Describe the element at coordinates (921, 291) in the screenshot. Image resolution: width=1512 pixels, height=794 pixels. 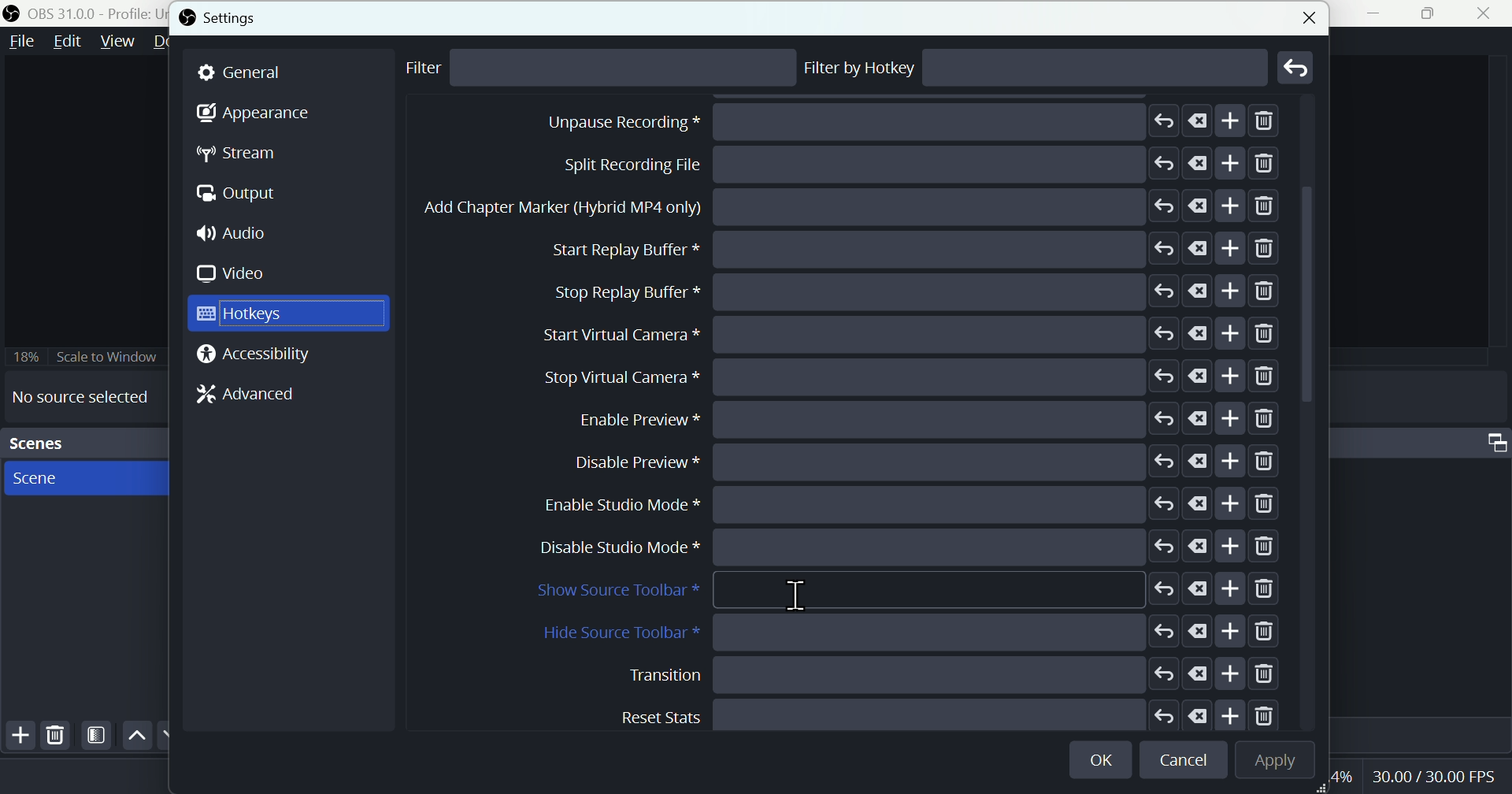
I see `Unpause recording` at that location.